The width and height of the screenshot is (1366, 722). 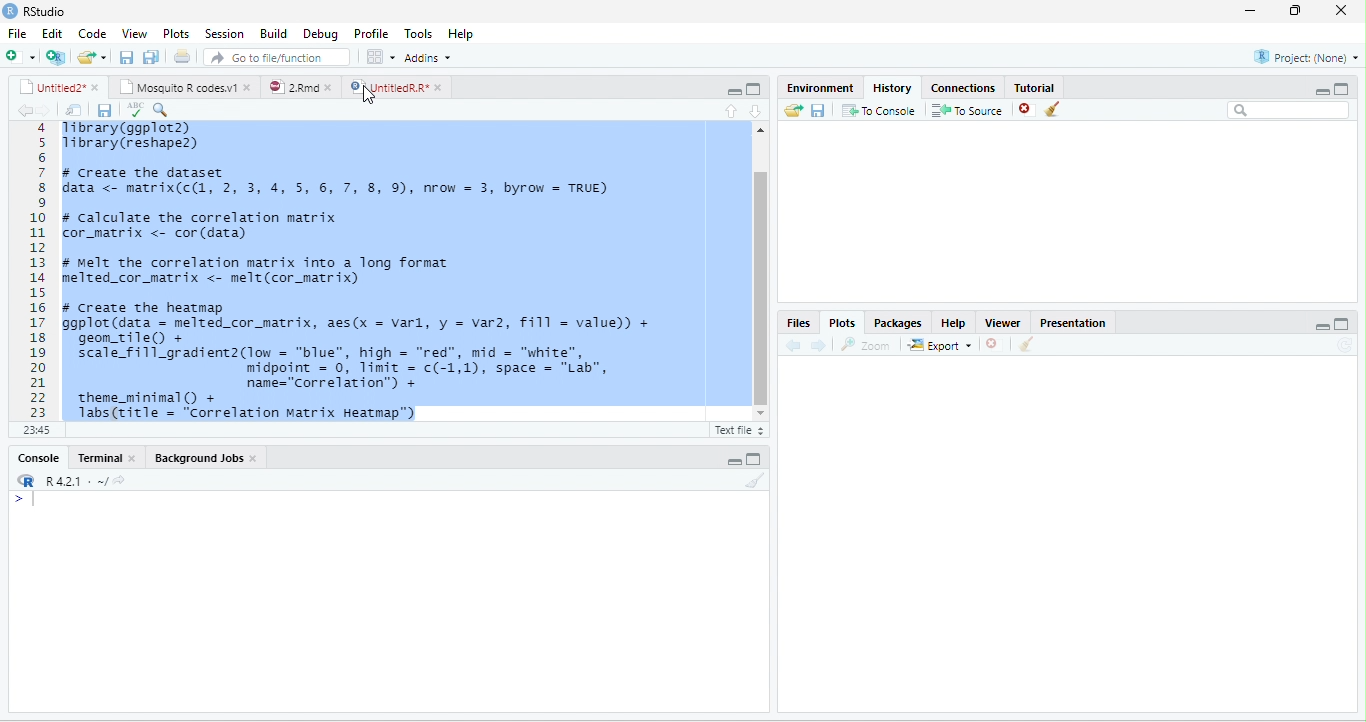 What do you see at coordinates (1066, 111) in the screenshot?
I see `clean` at bounding box center [1066, 111].